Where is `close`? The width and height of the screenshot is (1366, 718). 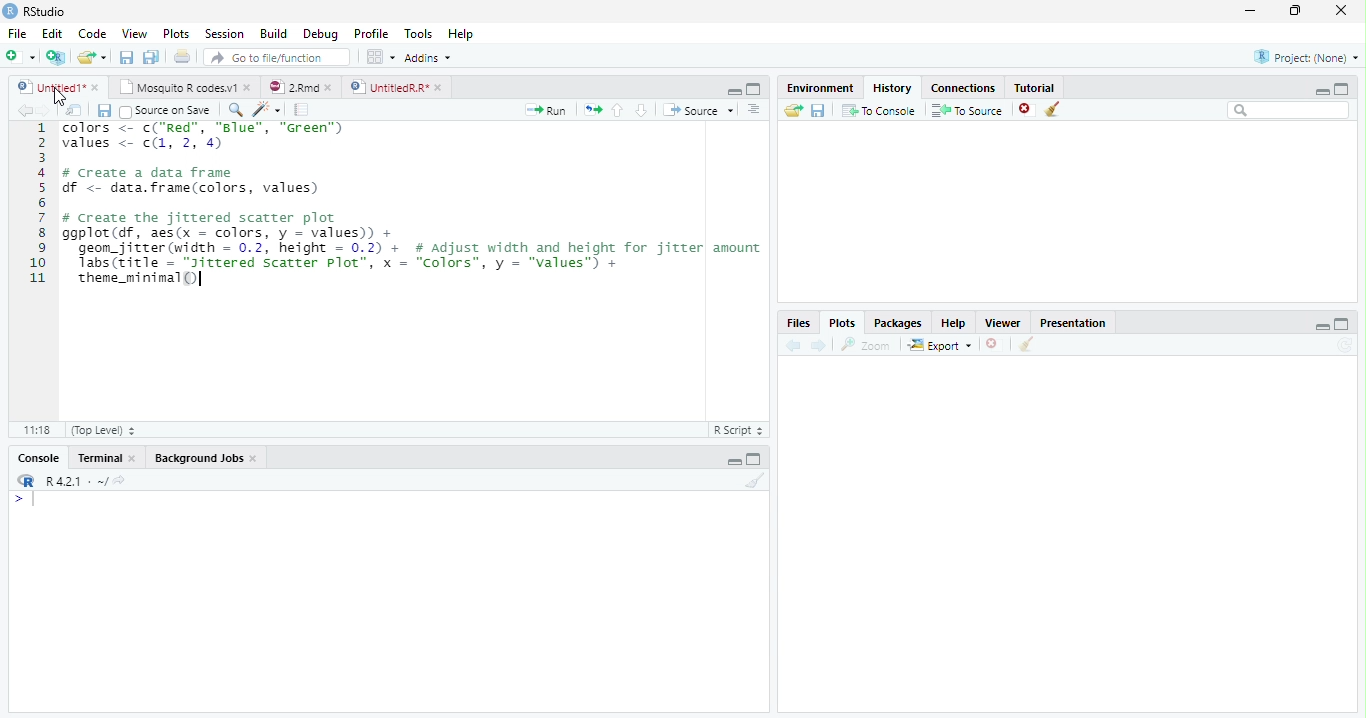
close is located at coordinates (254, 458).